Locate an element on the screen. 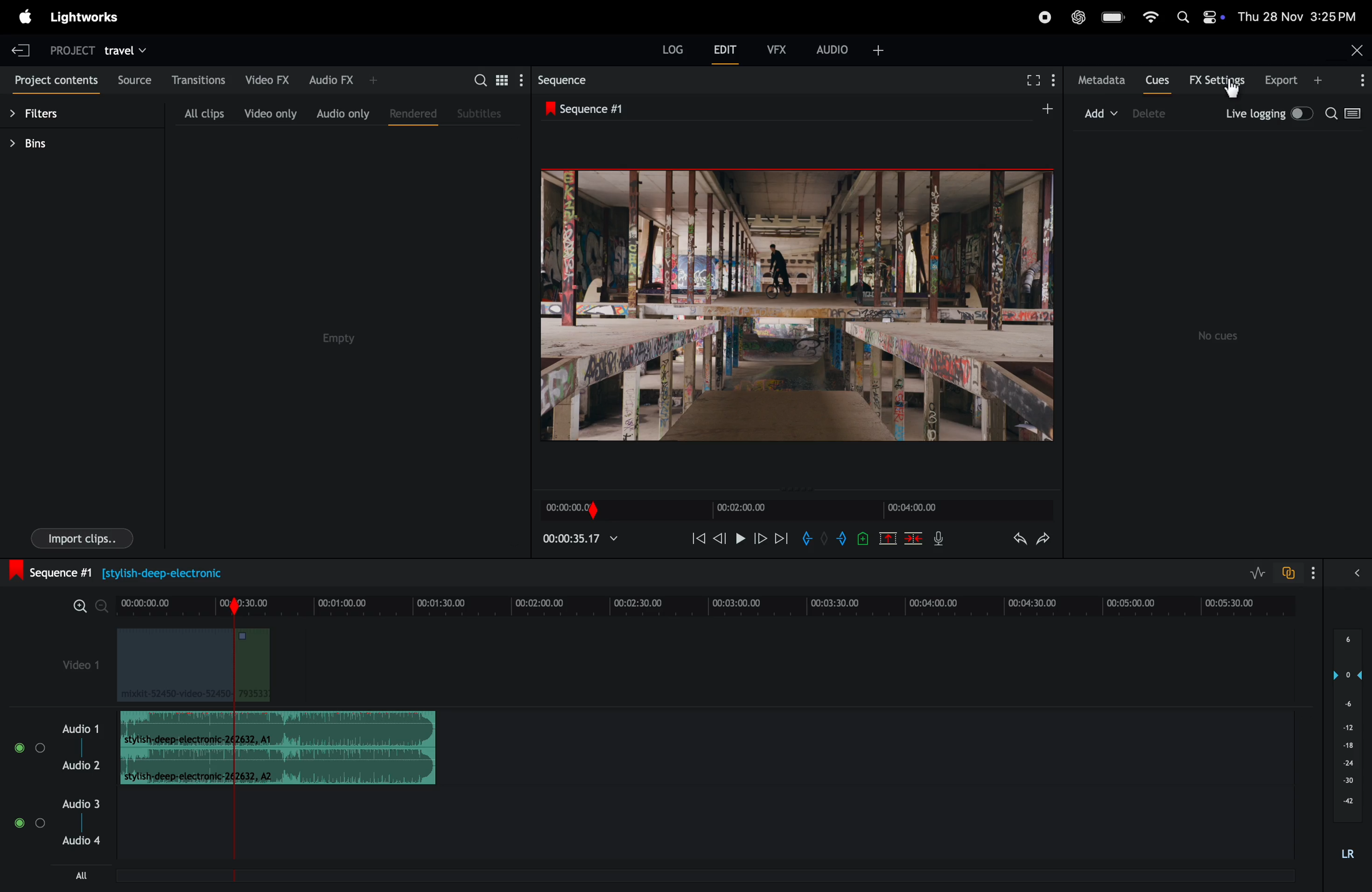 This screenshot has height=892, width=1372. time frame is located at coordinates (710, 603).